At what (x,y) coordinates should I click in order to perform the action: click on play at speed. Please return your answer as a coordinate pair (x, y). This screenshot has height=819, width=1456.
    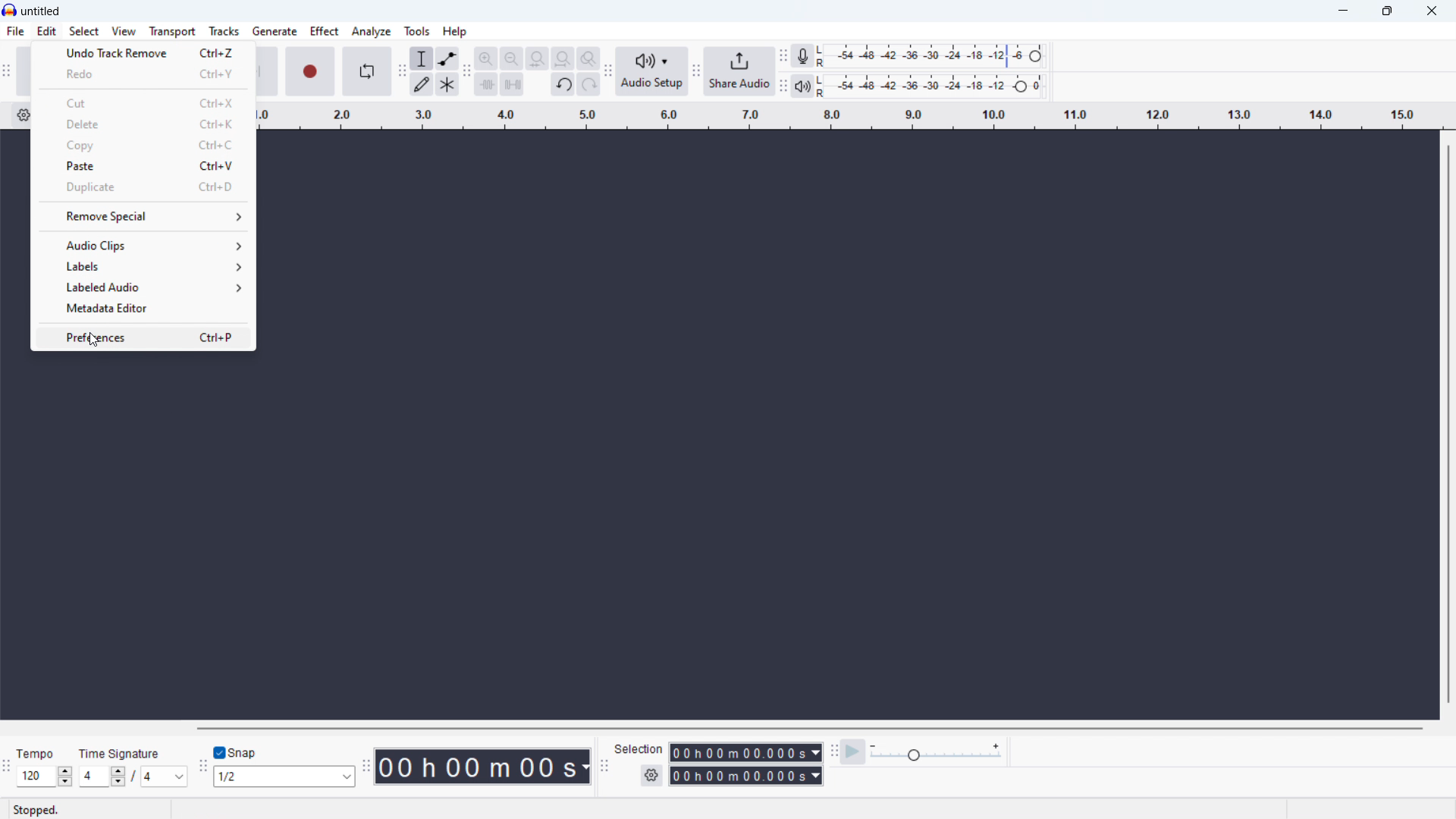
    Looking at the image, I should click on (853, 752).